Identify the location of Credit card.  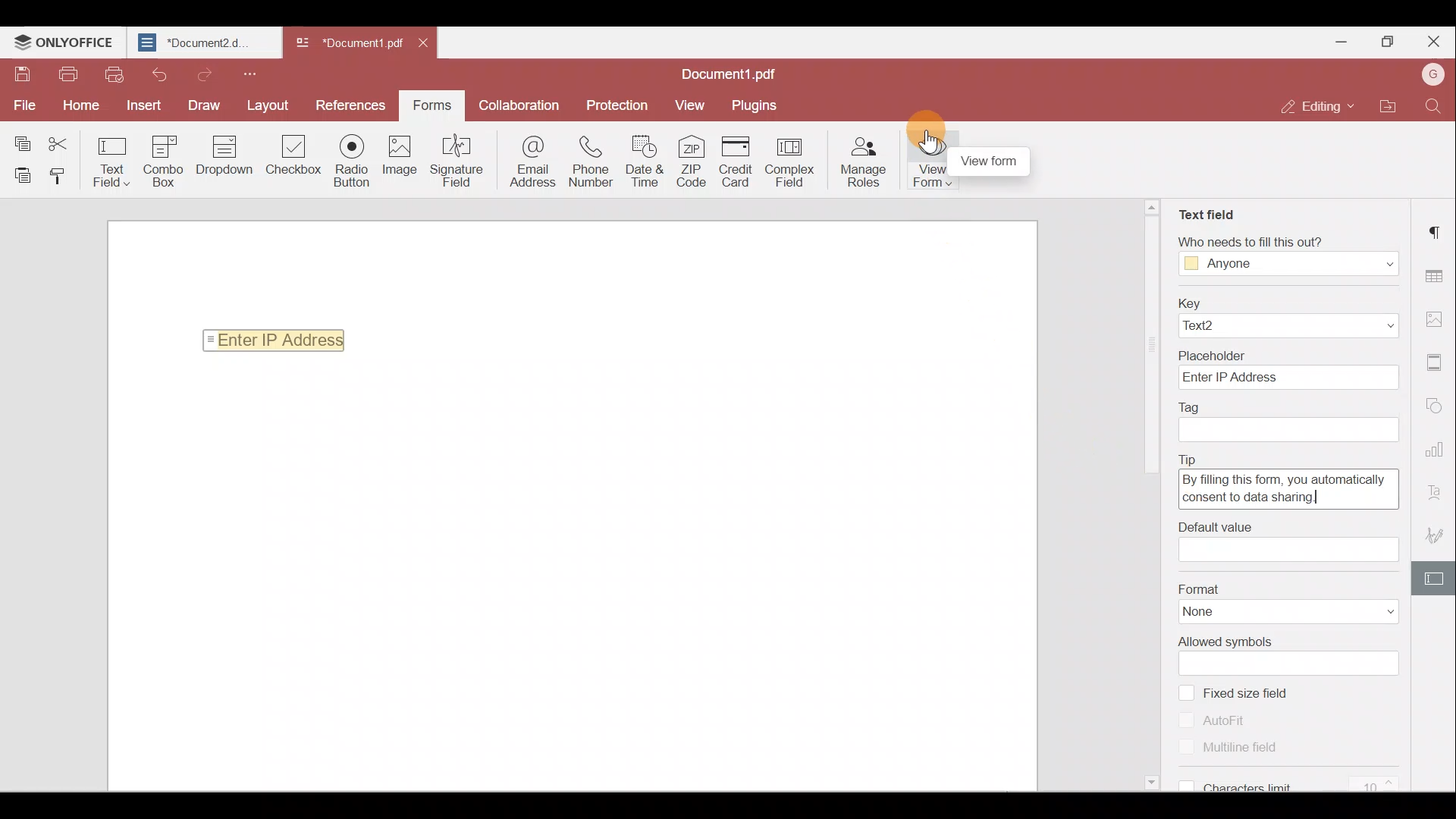
(737, 161).